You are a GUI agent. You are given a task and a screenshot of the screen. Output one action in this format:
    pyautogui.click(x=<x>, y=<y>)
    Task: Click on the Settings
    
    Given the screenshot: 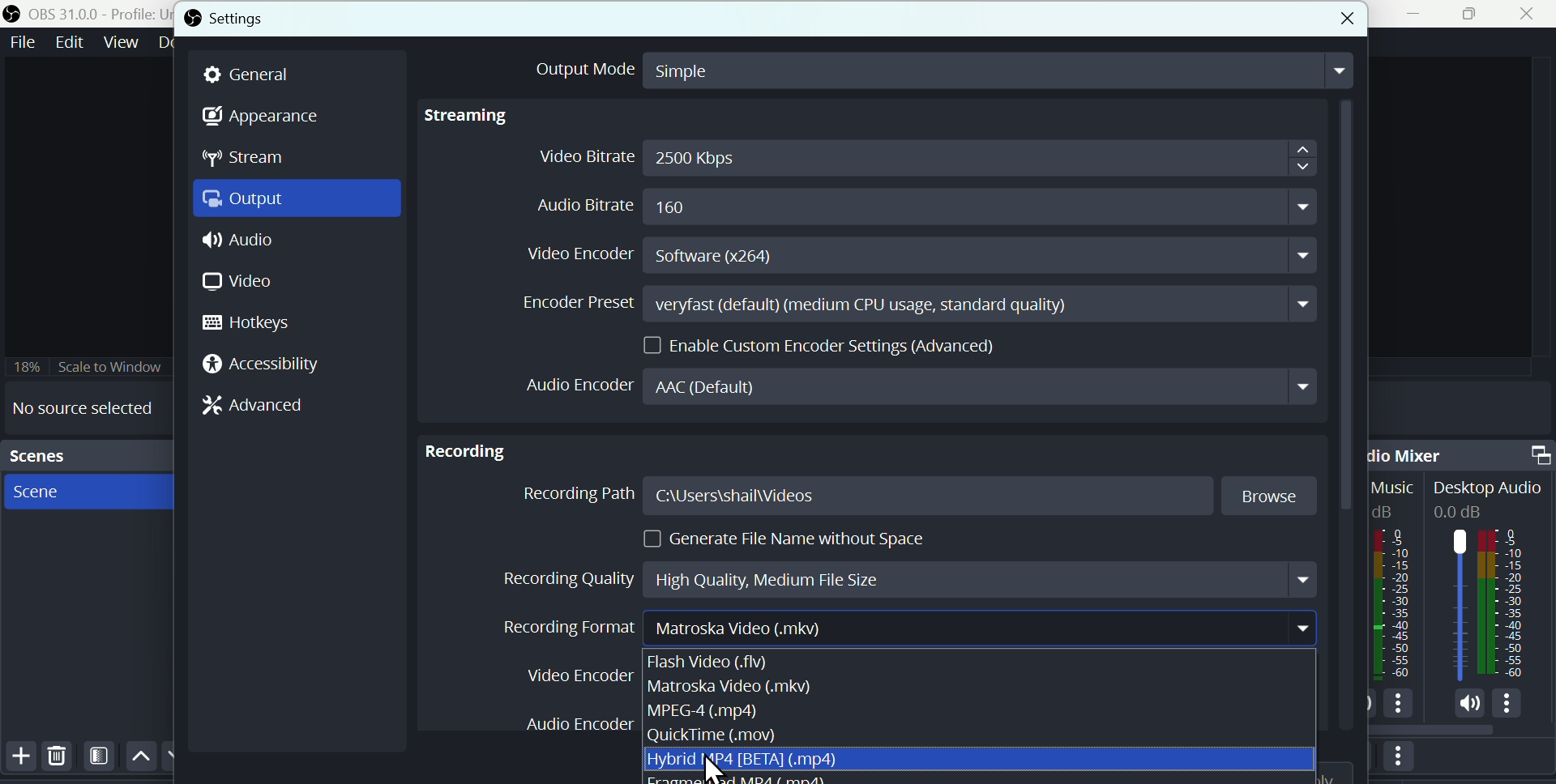 What is the action you would take?
    pyautogui.click(x=229, y=16)
    